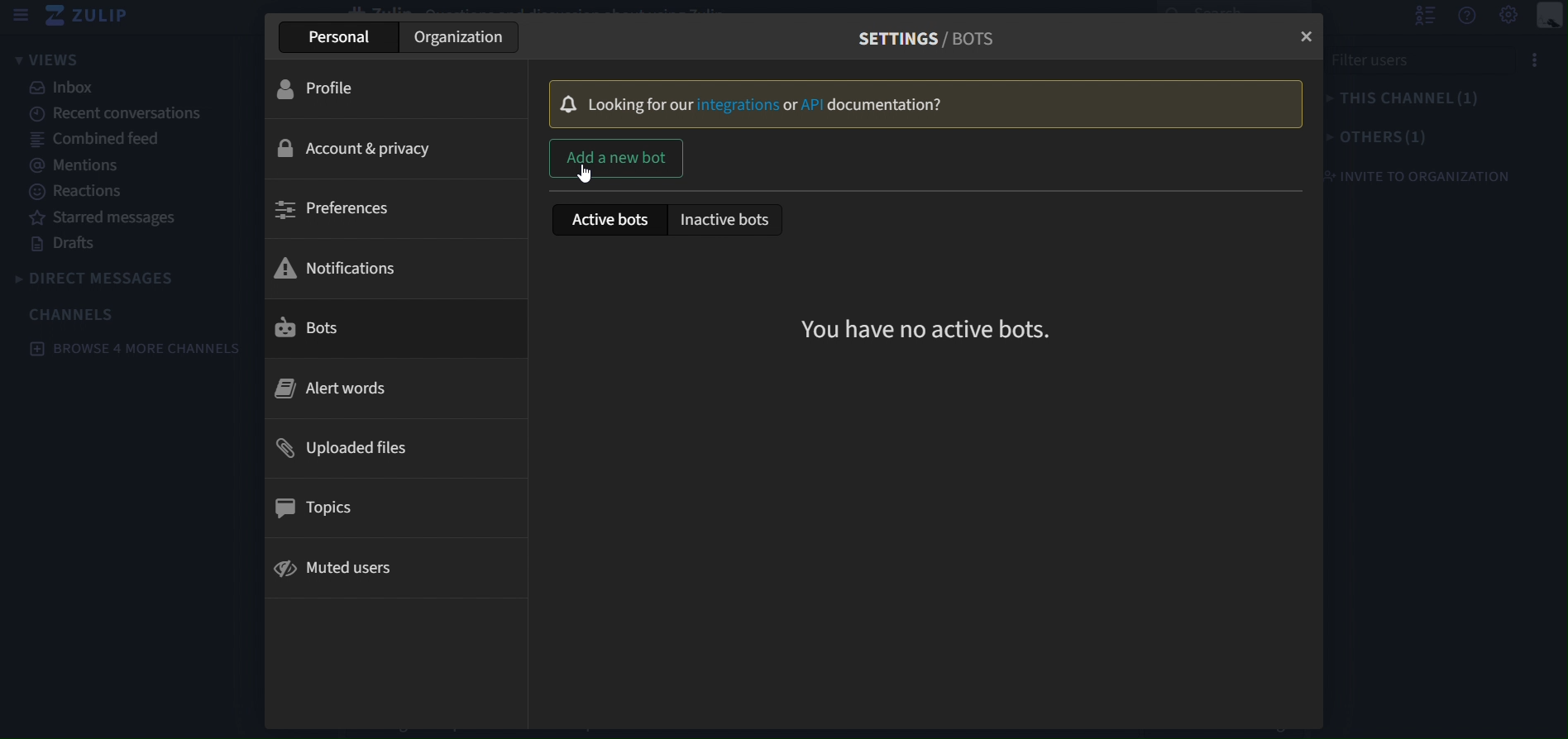  Describe the element at coordinates (1302, 31) in the screenshot. I see `close` at that location.